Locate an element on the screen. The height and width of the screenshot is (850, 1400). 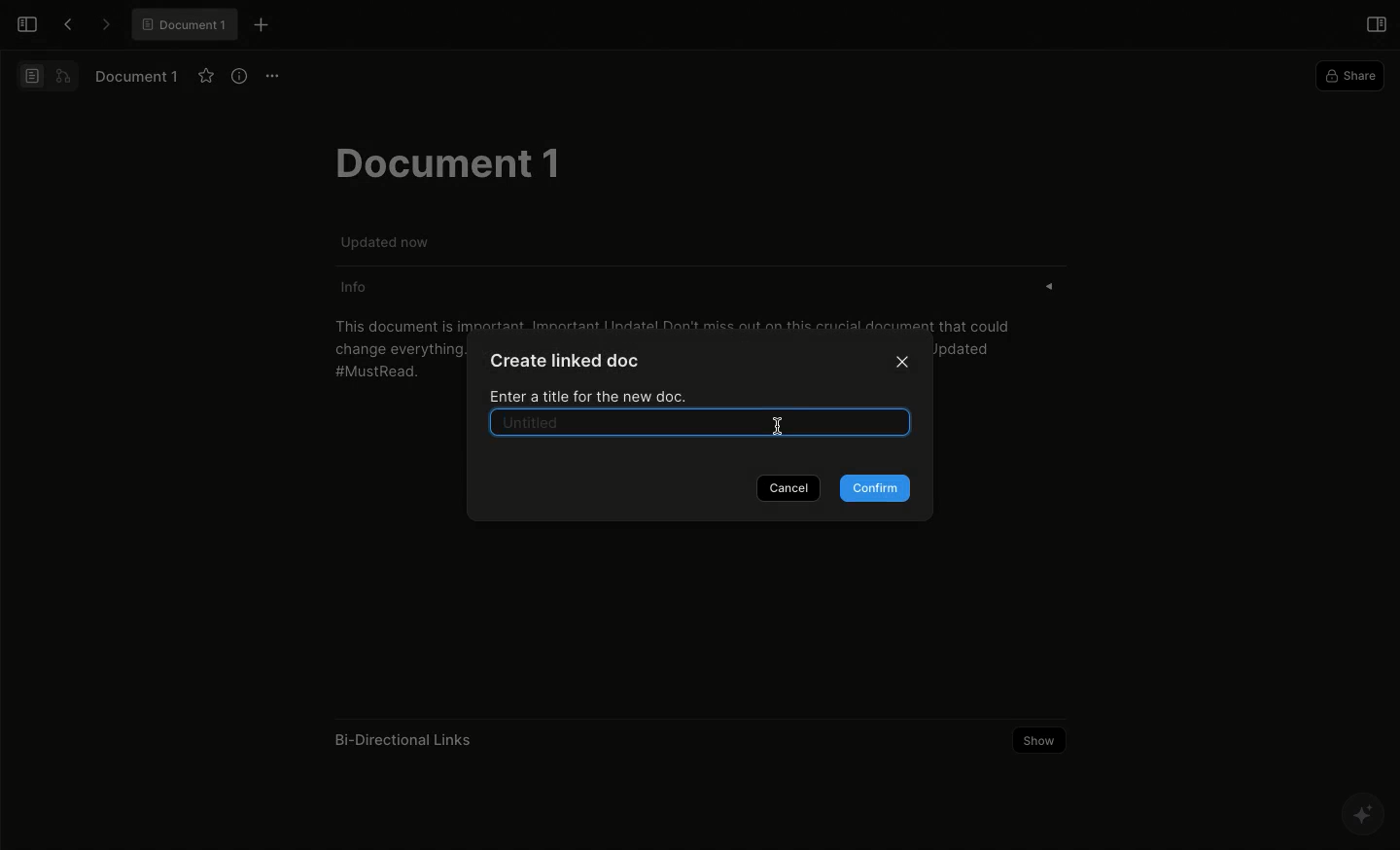
View info is located at coordinates (236, 77).